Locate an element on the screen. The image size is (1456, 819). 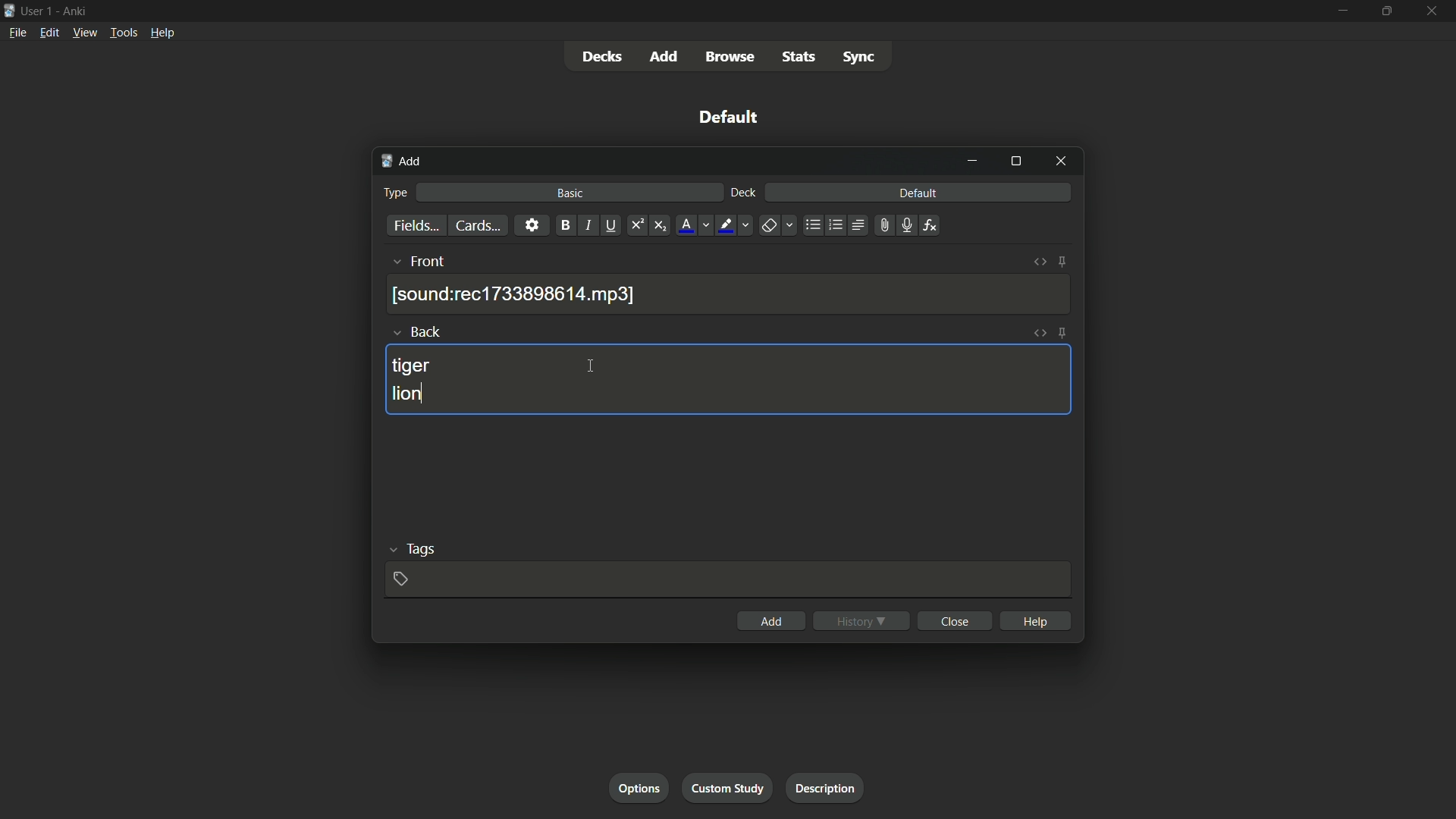
superscript is located at coordinates (636, 225).